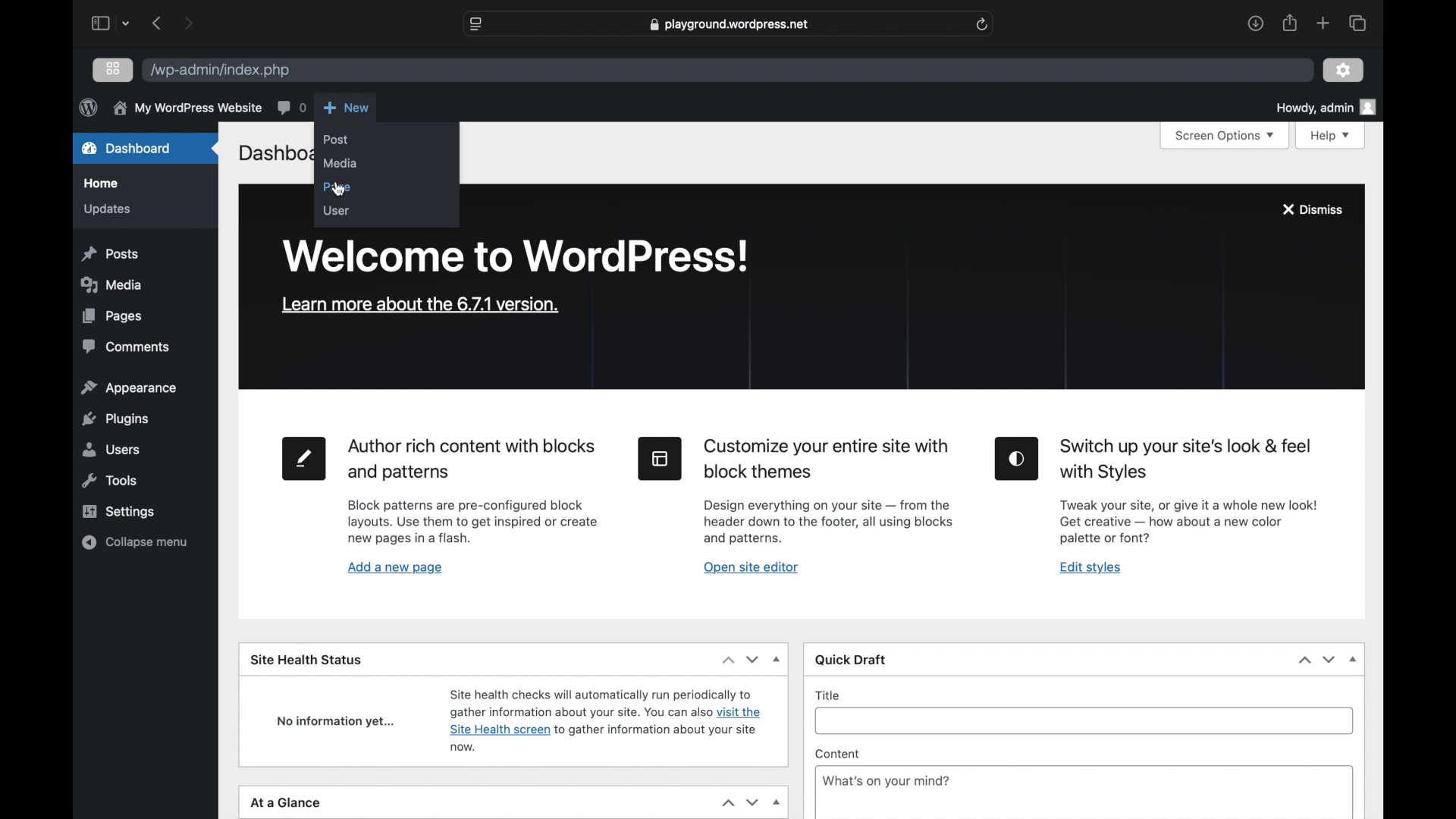  Describe the element at coordinates (740, 802) in the screenshot. I see `stepper buttons` at that location.